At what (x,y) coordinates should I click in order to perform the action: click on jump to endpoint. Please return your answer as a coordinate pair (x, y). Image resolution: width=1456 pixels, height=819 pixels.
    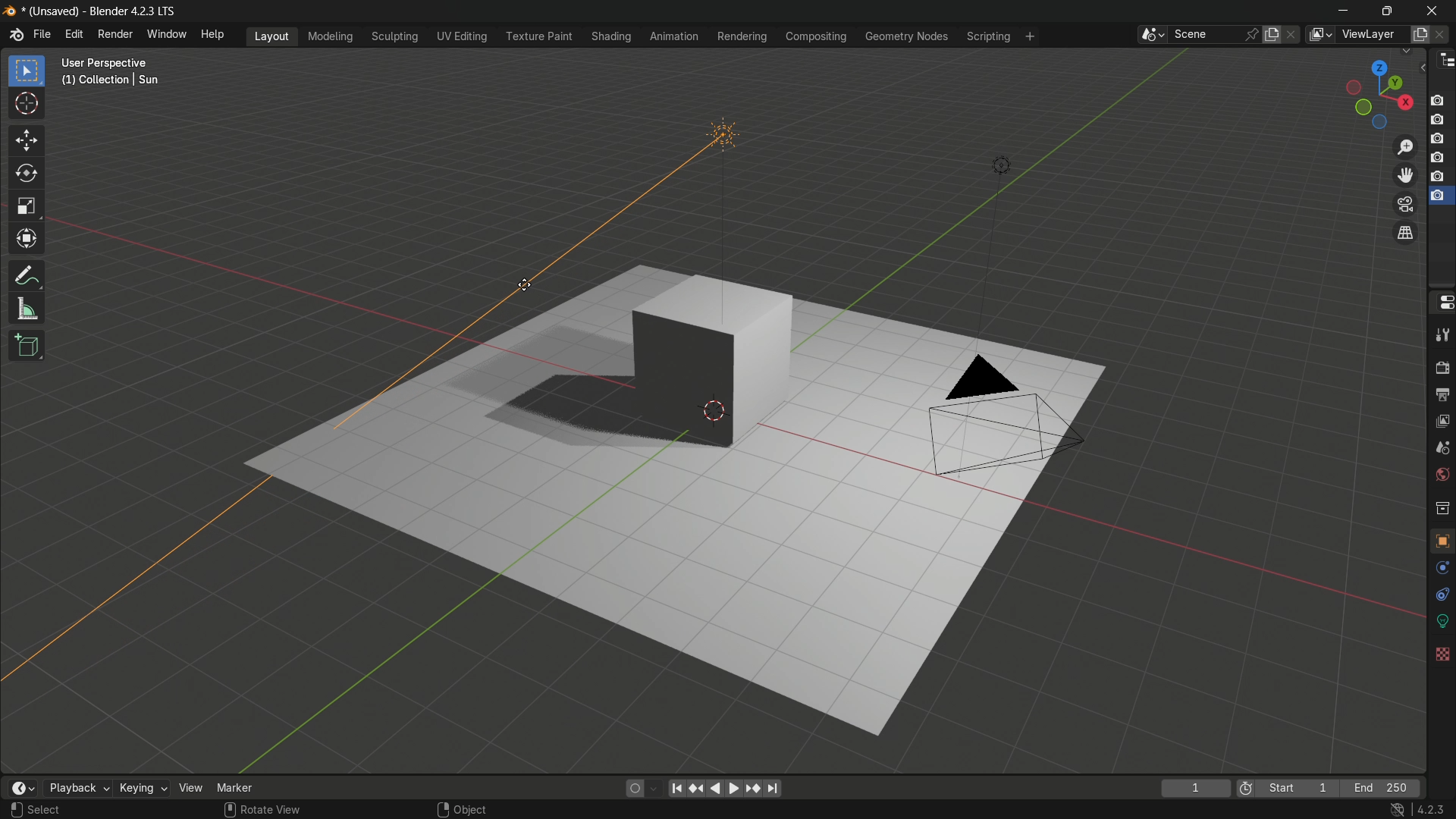
    Looking at the image, I should click on (677, 789).